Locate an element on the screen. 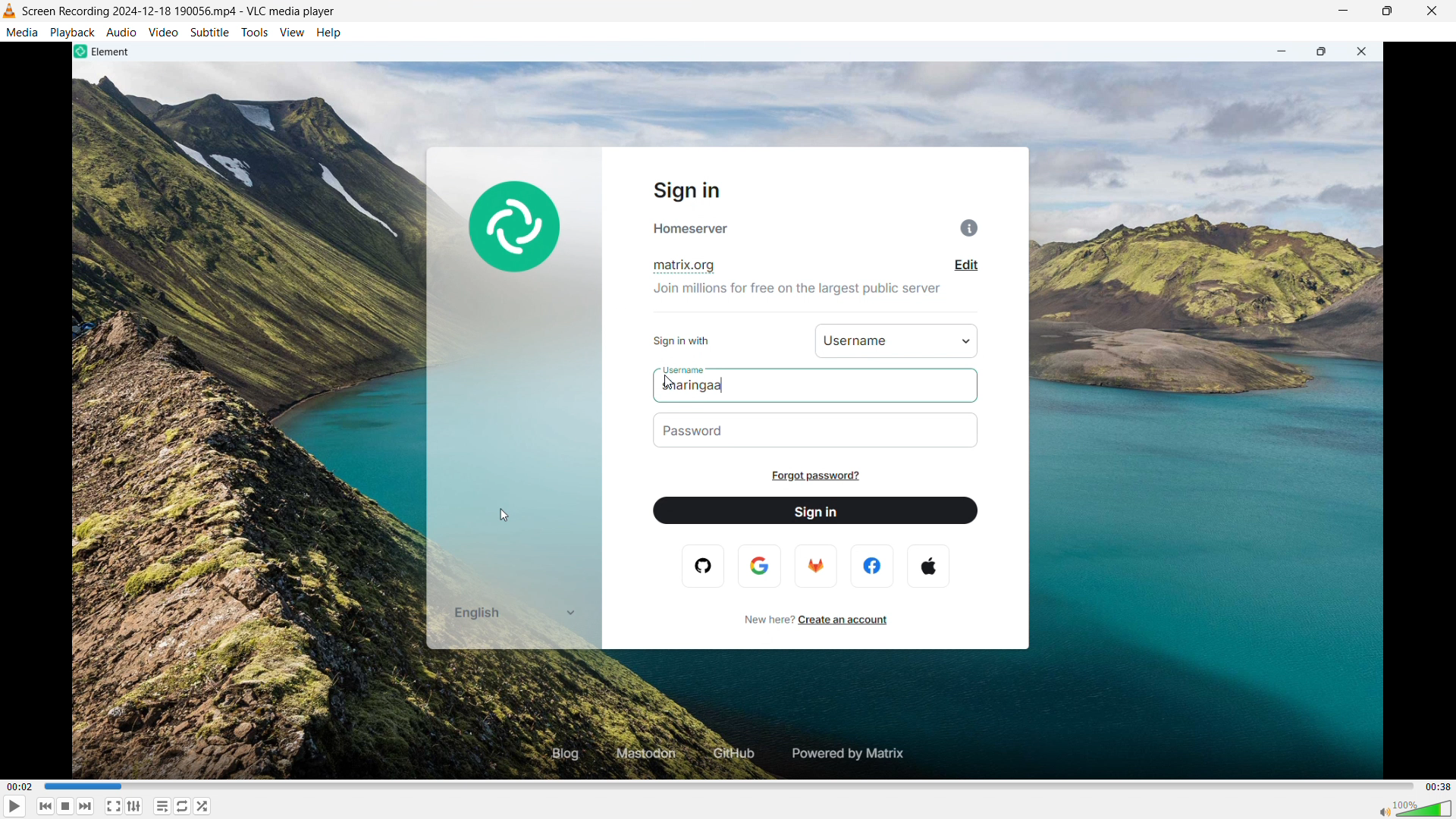 The height and width of the screenshot is (819, 1456). close is located at coordinates (1357, 52).